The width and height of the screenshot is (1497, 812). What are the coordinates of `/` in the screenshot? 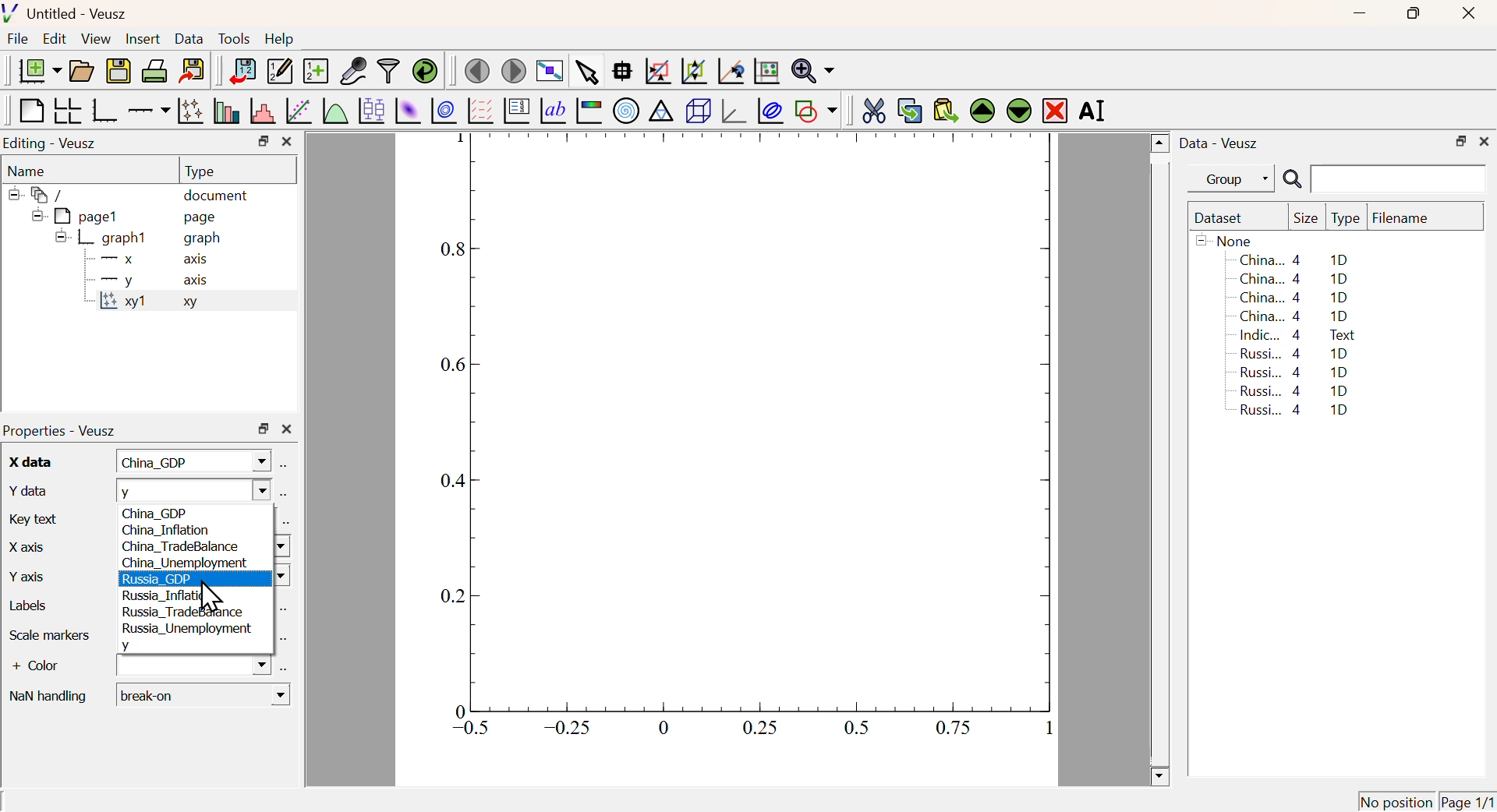 It's located at (39, 195).